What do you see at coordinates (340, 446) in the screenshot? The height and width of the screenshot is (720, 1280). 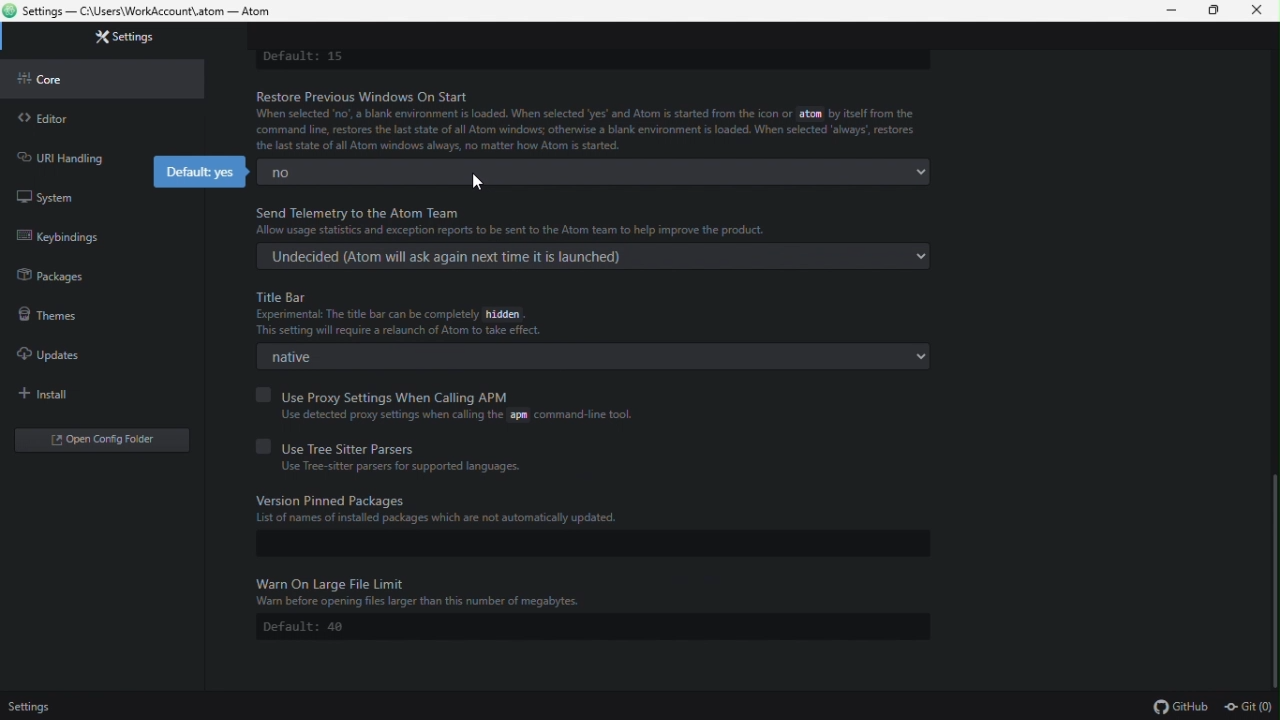 I see `Use Tree Sitter Parsers` at bounding box center [340, 446].